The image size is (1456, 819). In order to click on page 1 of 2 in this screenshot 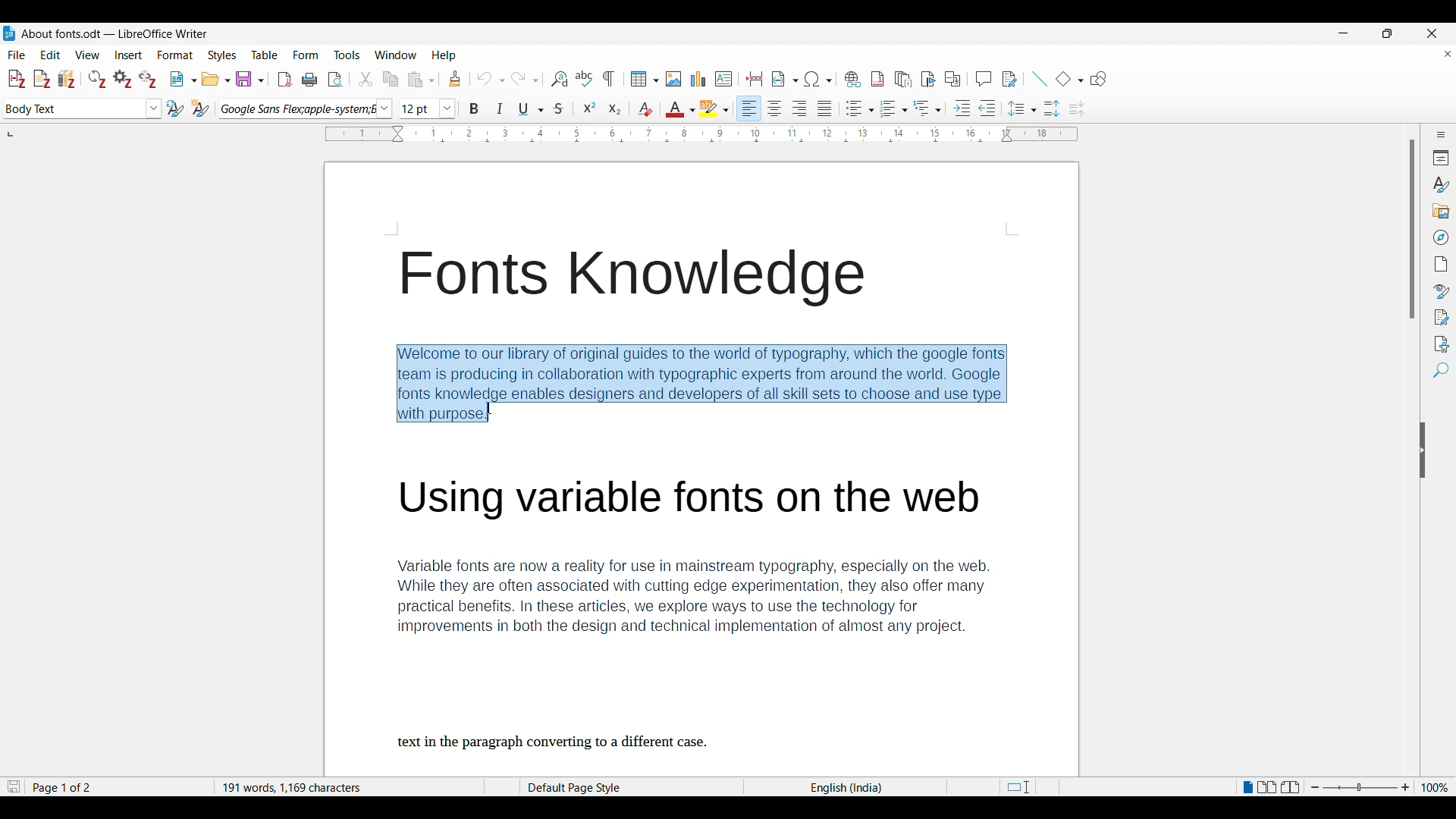, I will do `click(66, 787)`.